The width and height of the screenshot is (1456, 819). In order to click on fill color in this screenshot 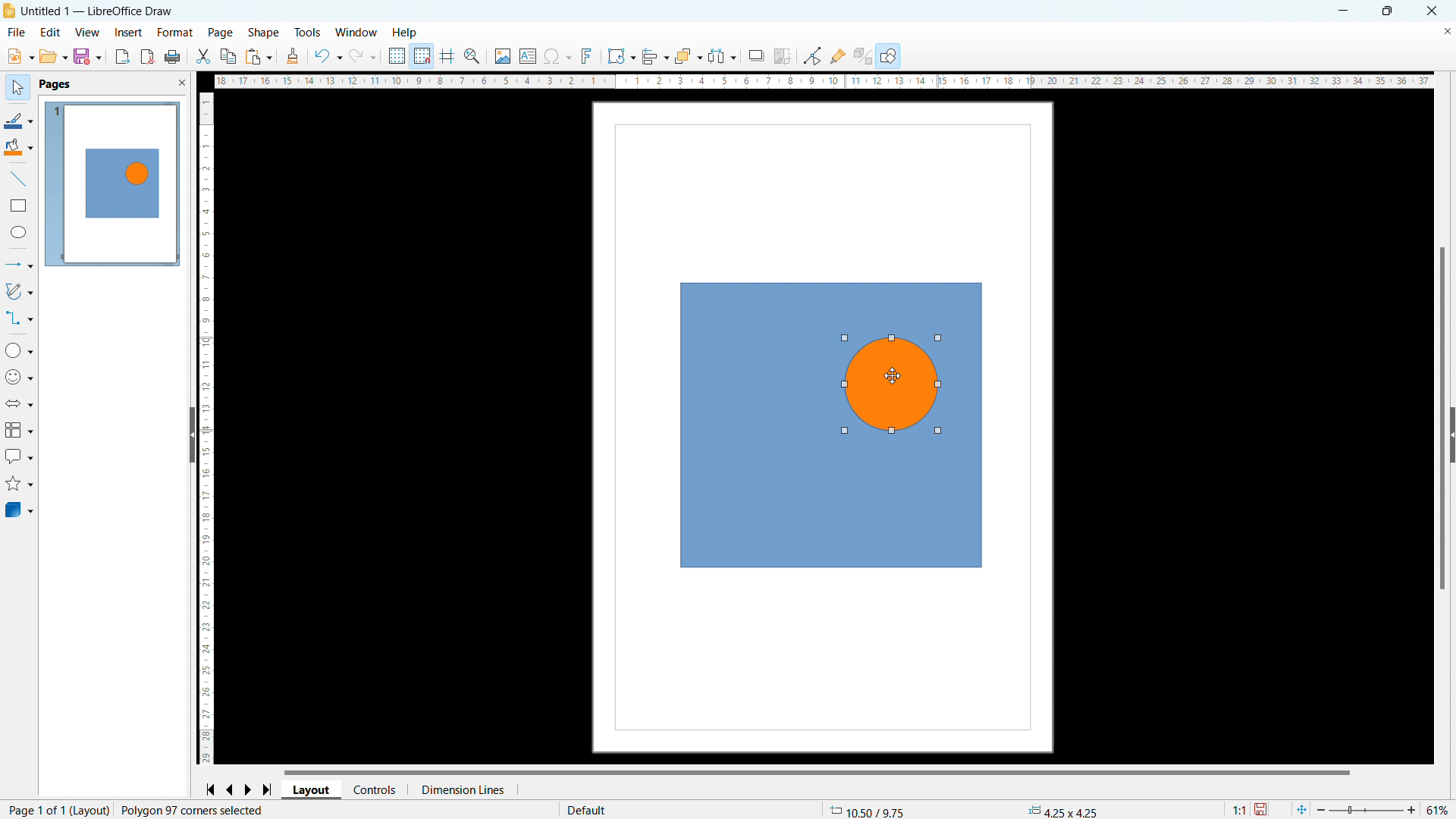, I will do `click(19, 147)`.